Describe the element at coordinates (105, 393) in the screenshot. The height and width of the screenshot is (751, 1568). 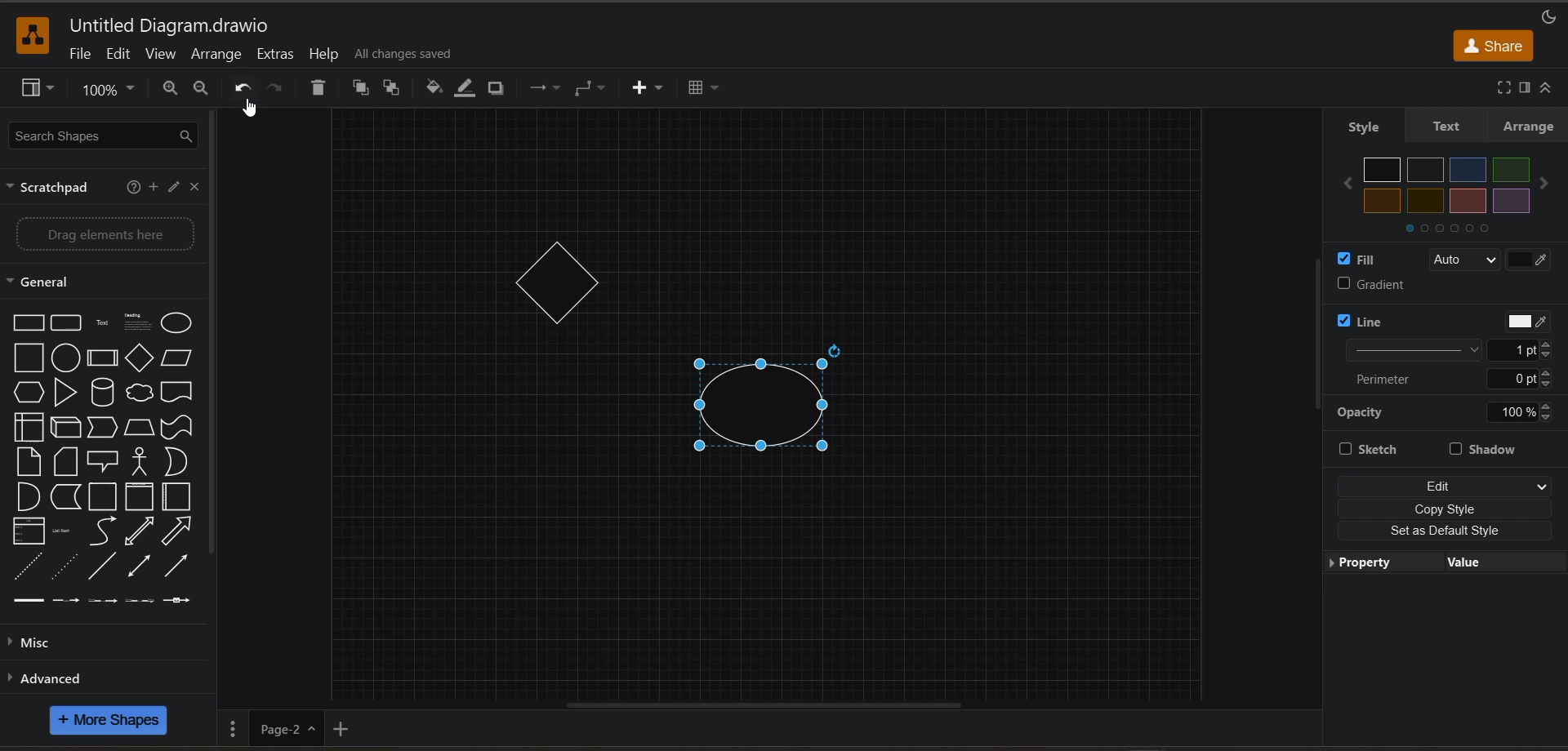
I see `Cylinder ` at that location.